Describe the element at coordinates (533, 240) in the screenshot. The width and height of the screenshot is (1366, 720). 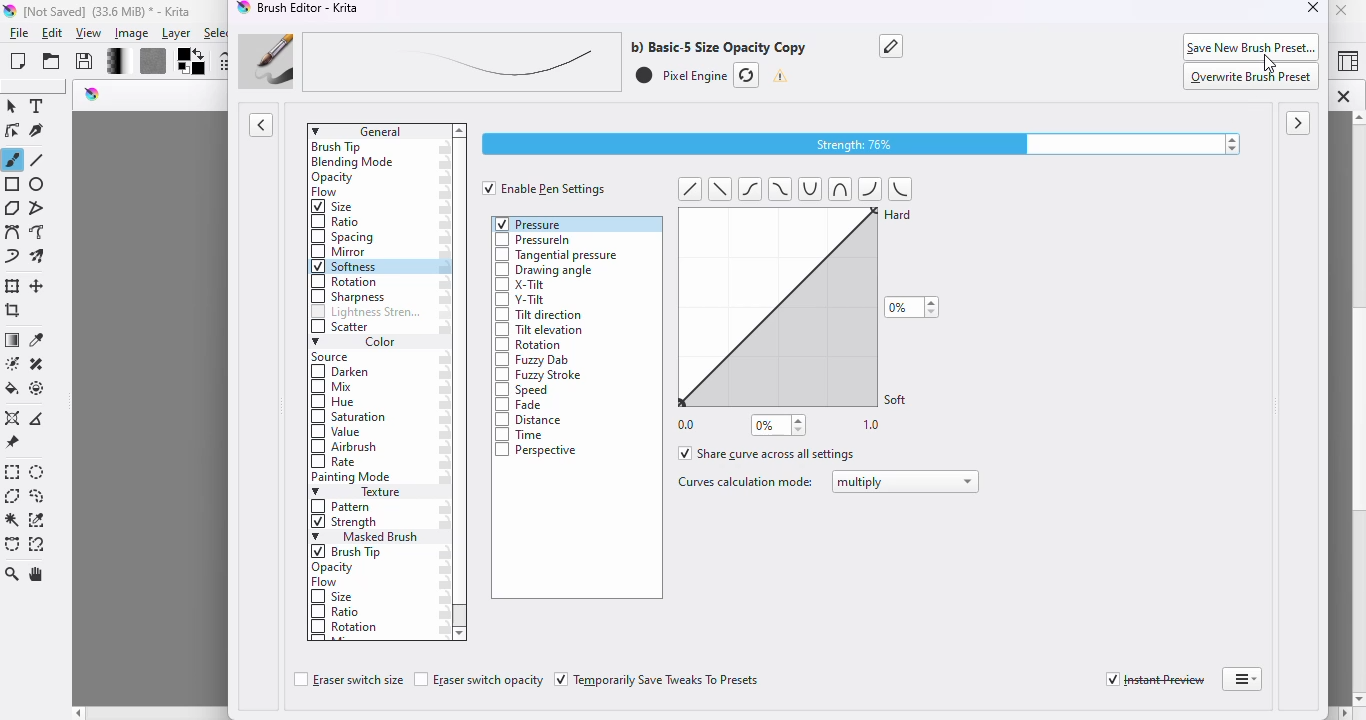
I see `pressureIn` at that location.